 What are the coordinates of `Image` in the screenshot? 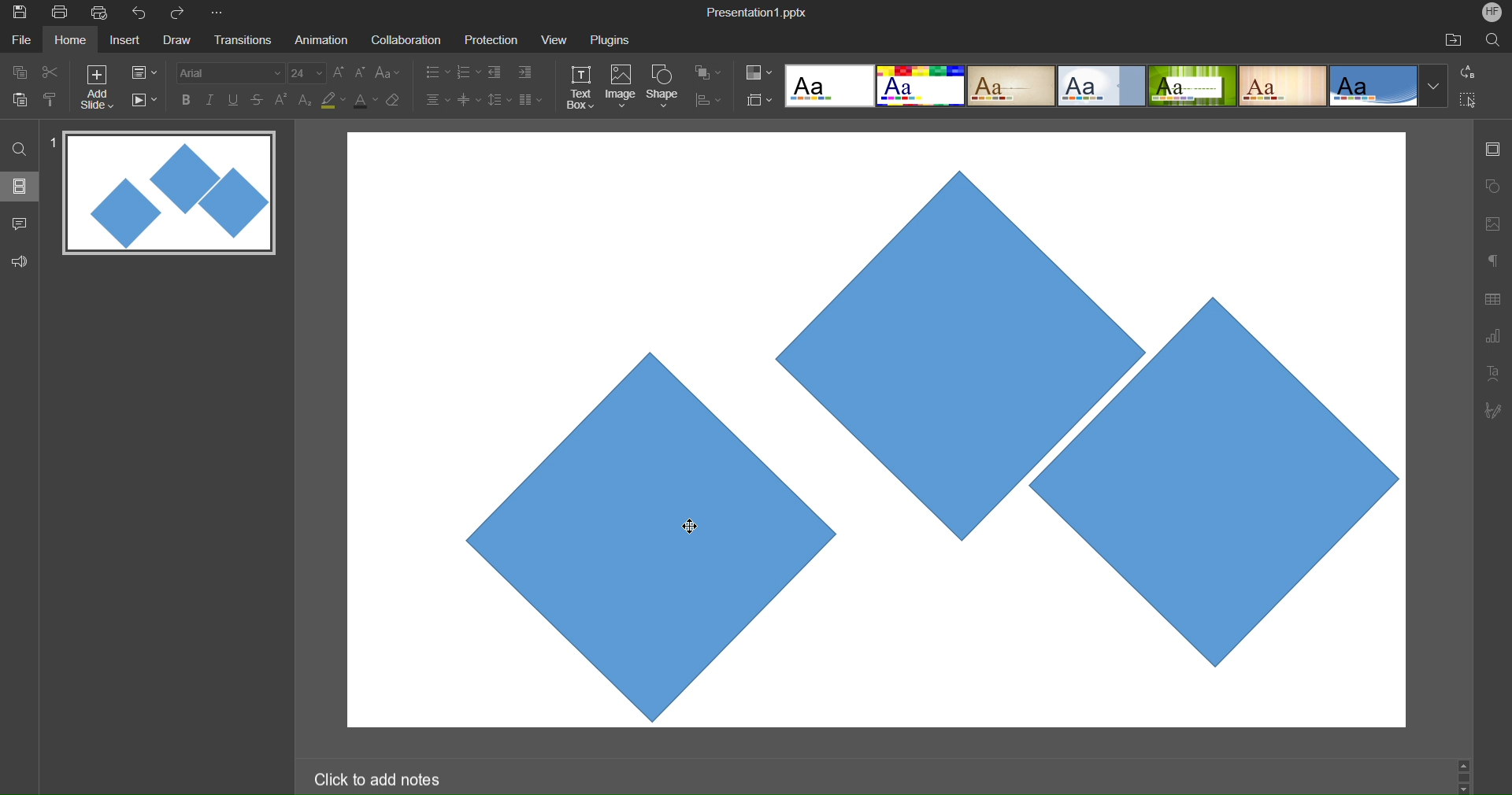 It's located at (621, 88).